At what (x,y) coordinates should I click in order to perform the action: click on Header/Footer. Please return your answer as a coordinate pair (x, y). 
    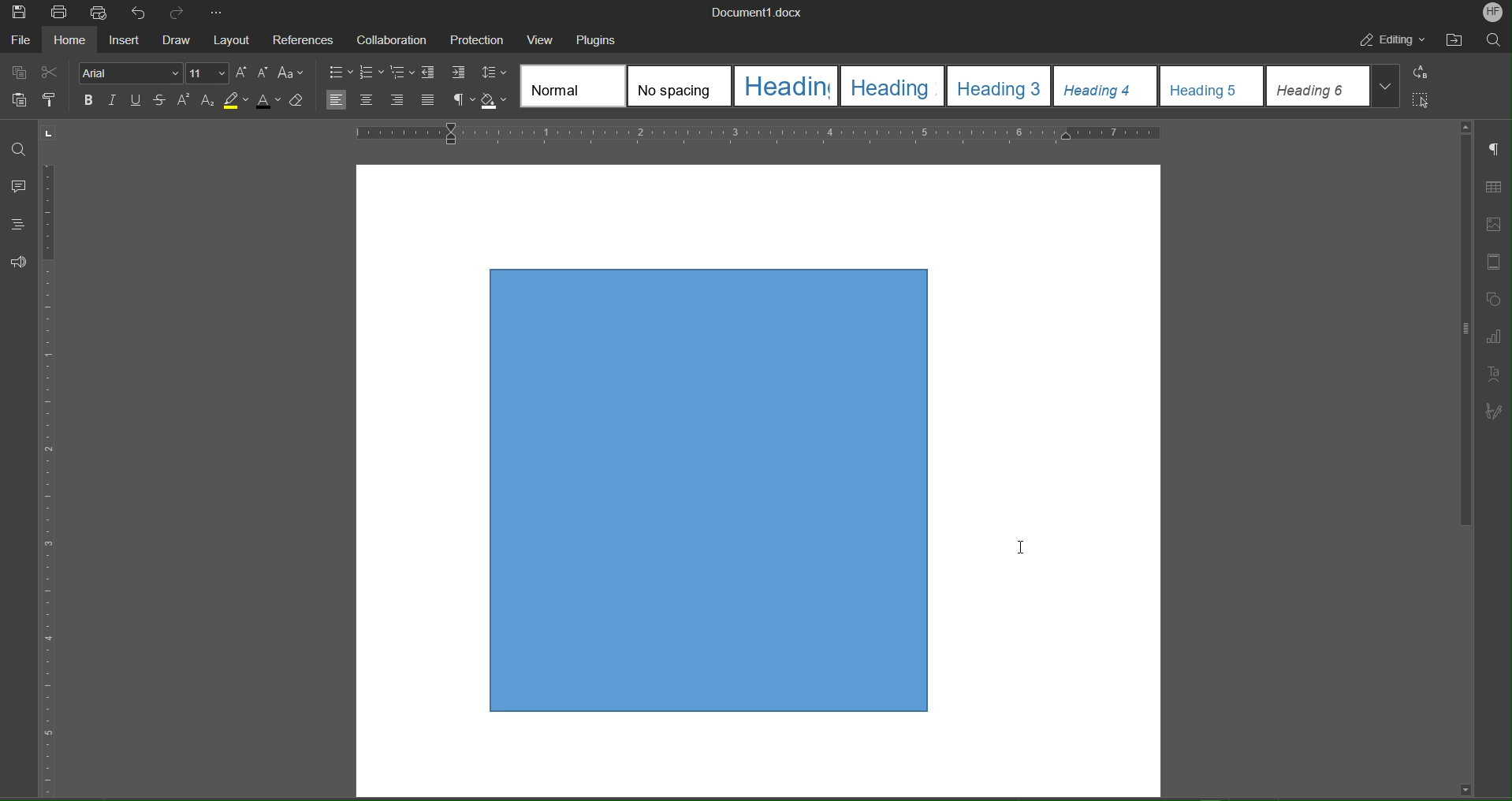
    Looking at the image, I should click on (1498, 263).